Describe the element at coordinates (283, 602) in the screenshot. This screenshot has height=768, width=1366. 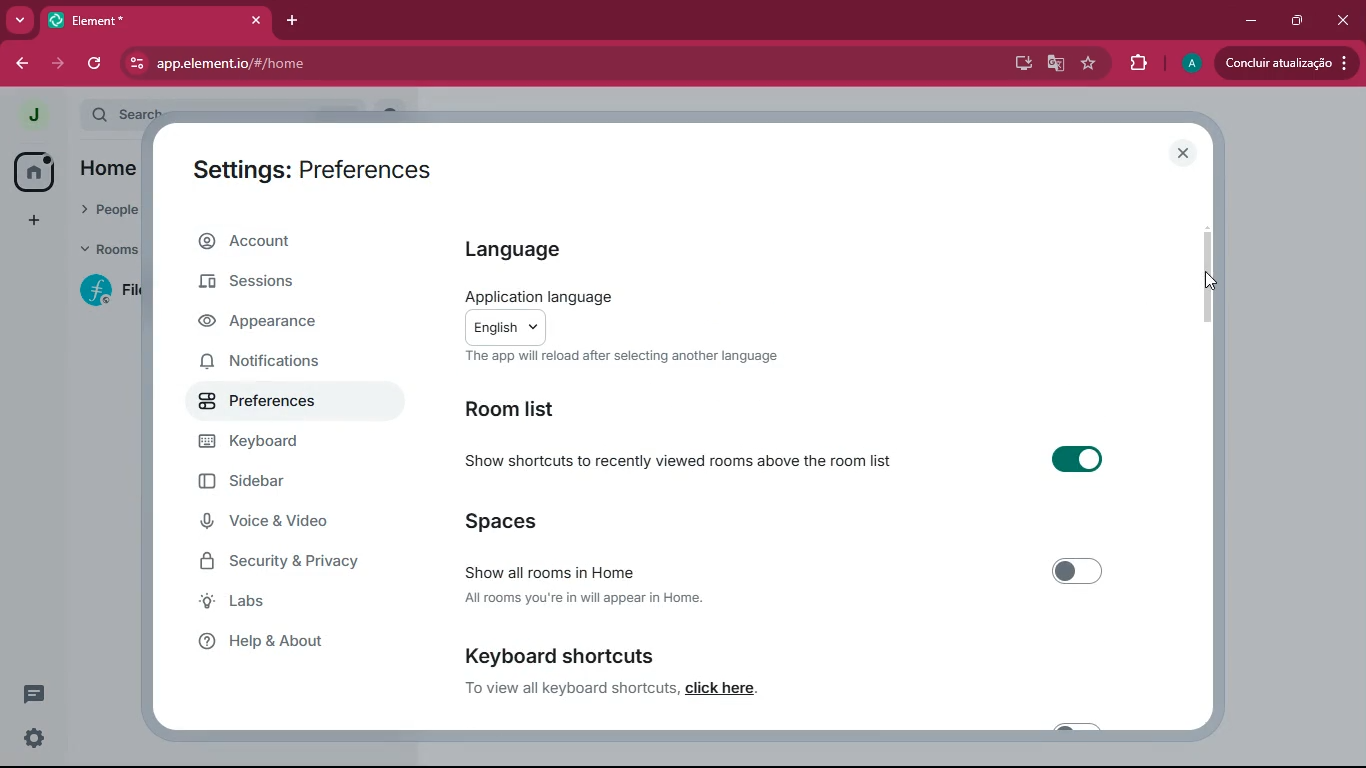
I see `labs` at that location.